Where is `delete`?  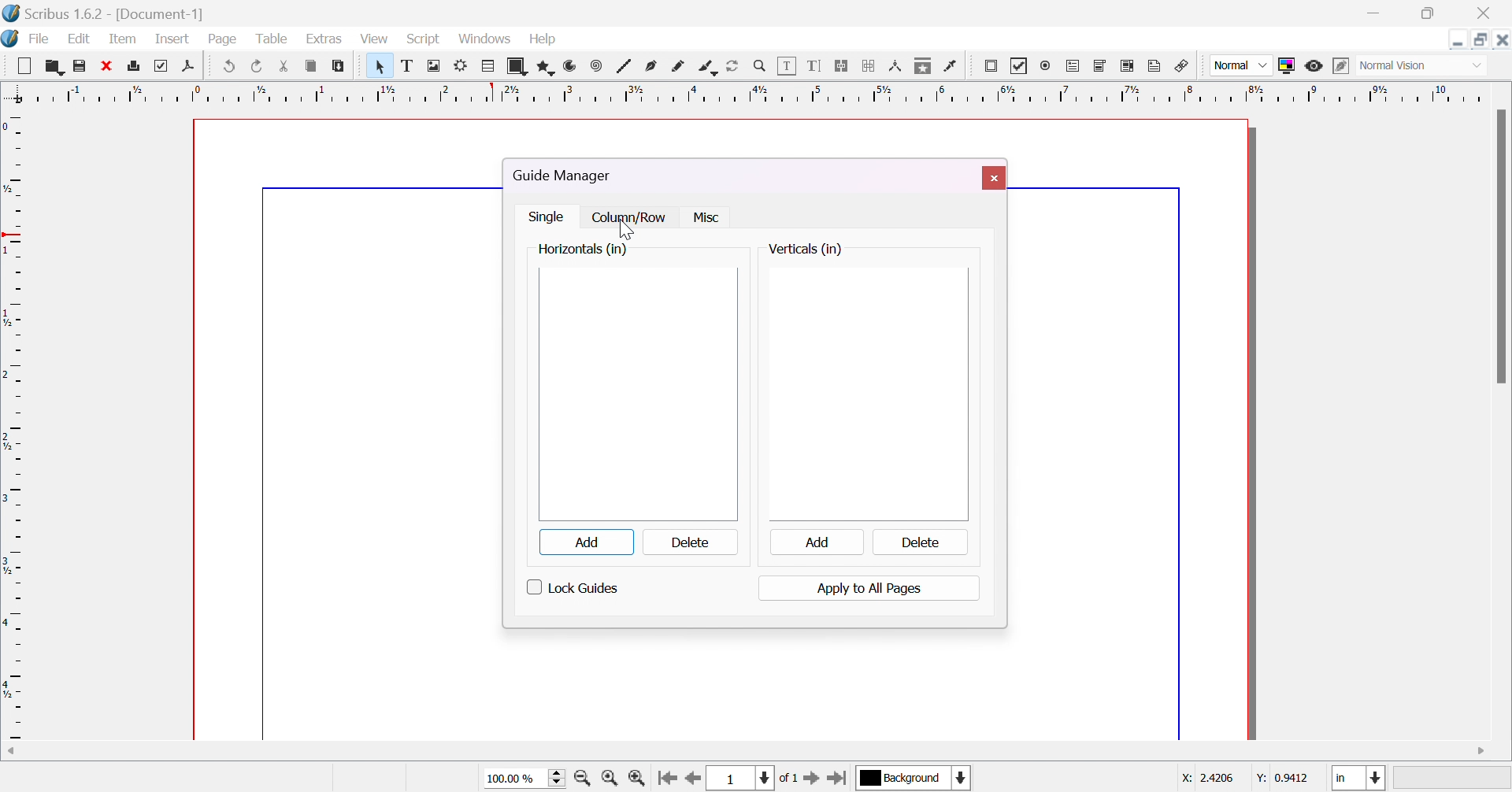 delete is located at coordinates (695, 542).